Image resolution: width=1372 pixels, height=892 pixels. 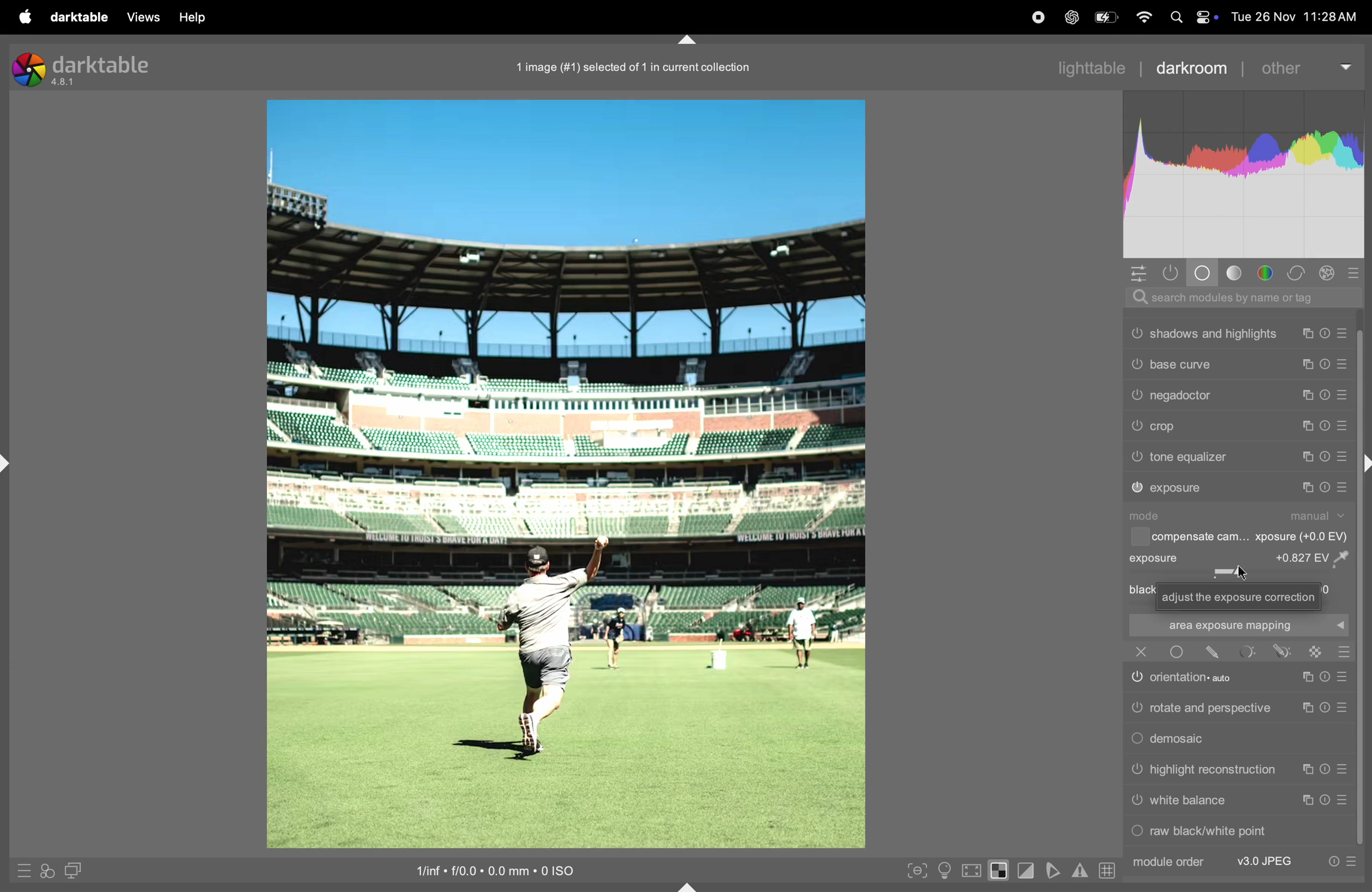 I want to click on exposure, so click(x=1178, y=488).